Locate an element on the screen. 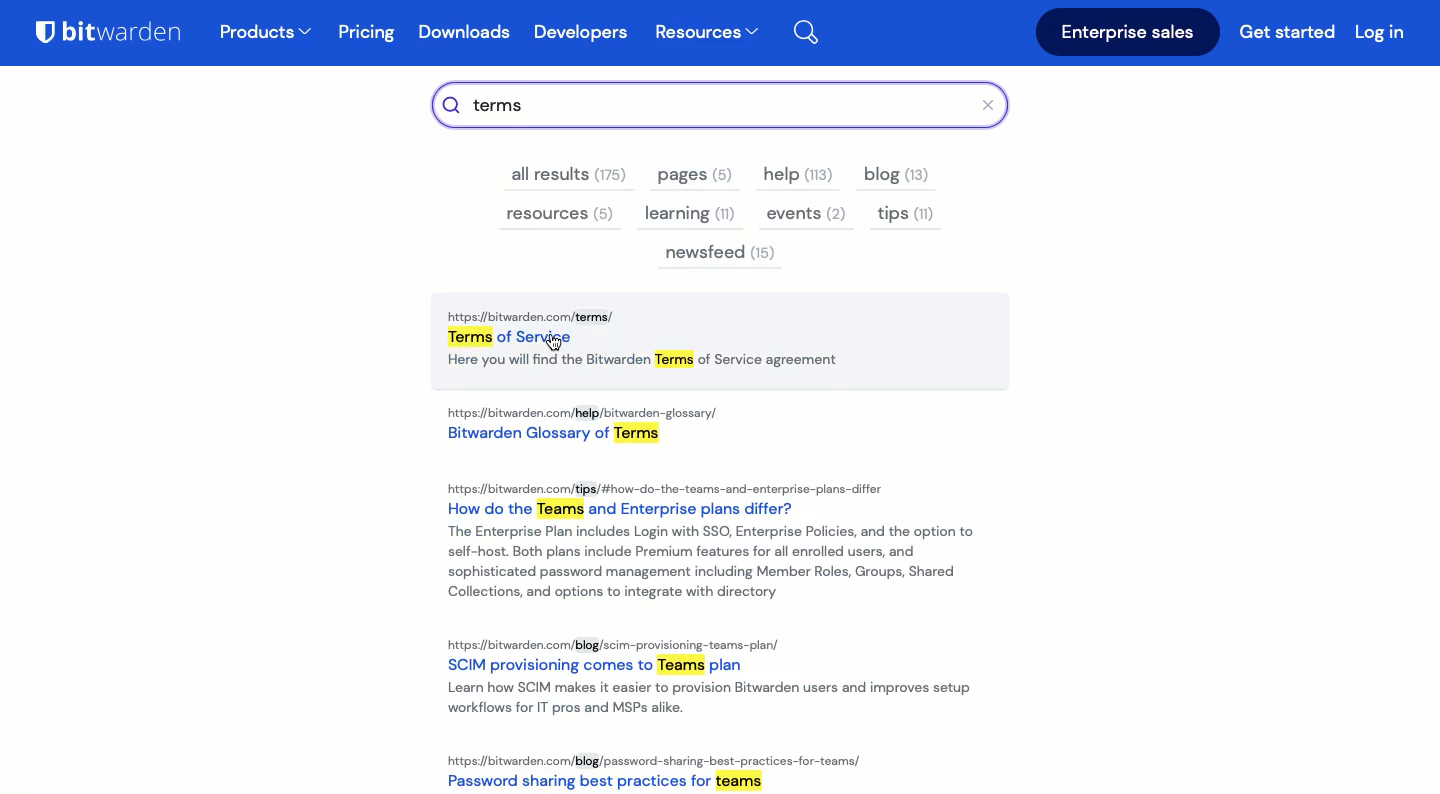 The image size is (1440, 794). https://bitwarden com/blog/scim-provisioning-teams-plan/

SCIM provisioning comes to Teams plan

Learn how SCIM makes it easier to provision Bitwarden users and improves setup
workflows for IT pros and MSPs alike. is located at coordinates (719, 677).